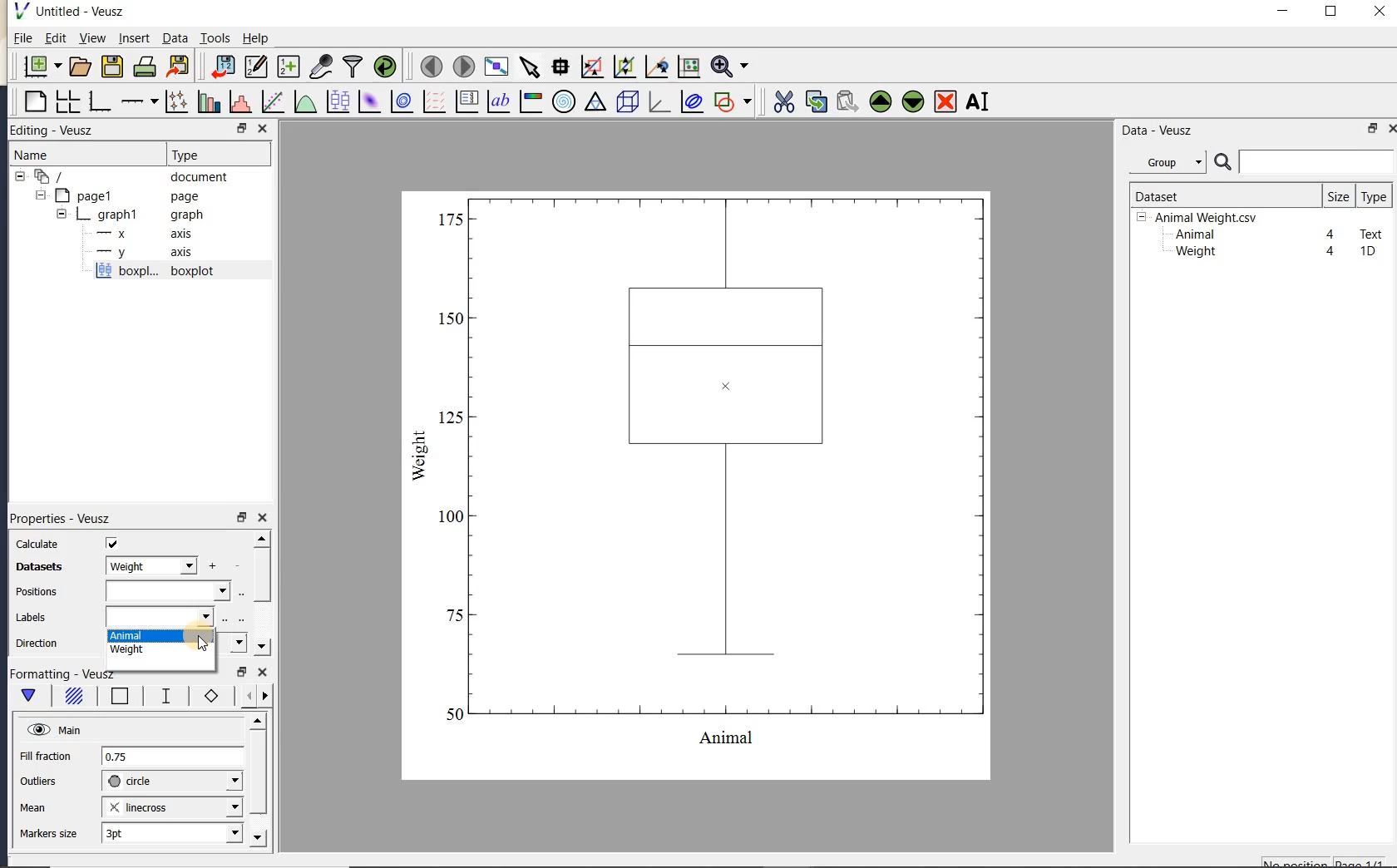 This screenshot has height=868, width=1397. Describe the element at coordinates (690, 101) in the screenshot. I see `plot covariance ellipses` at that location.